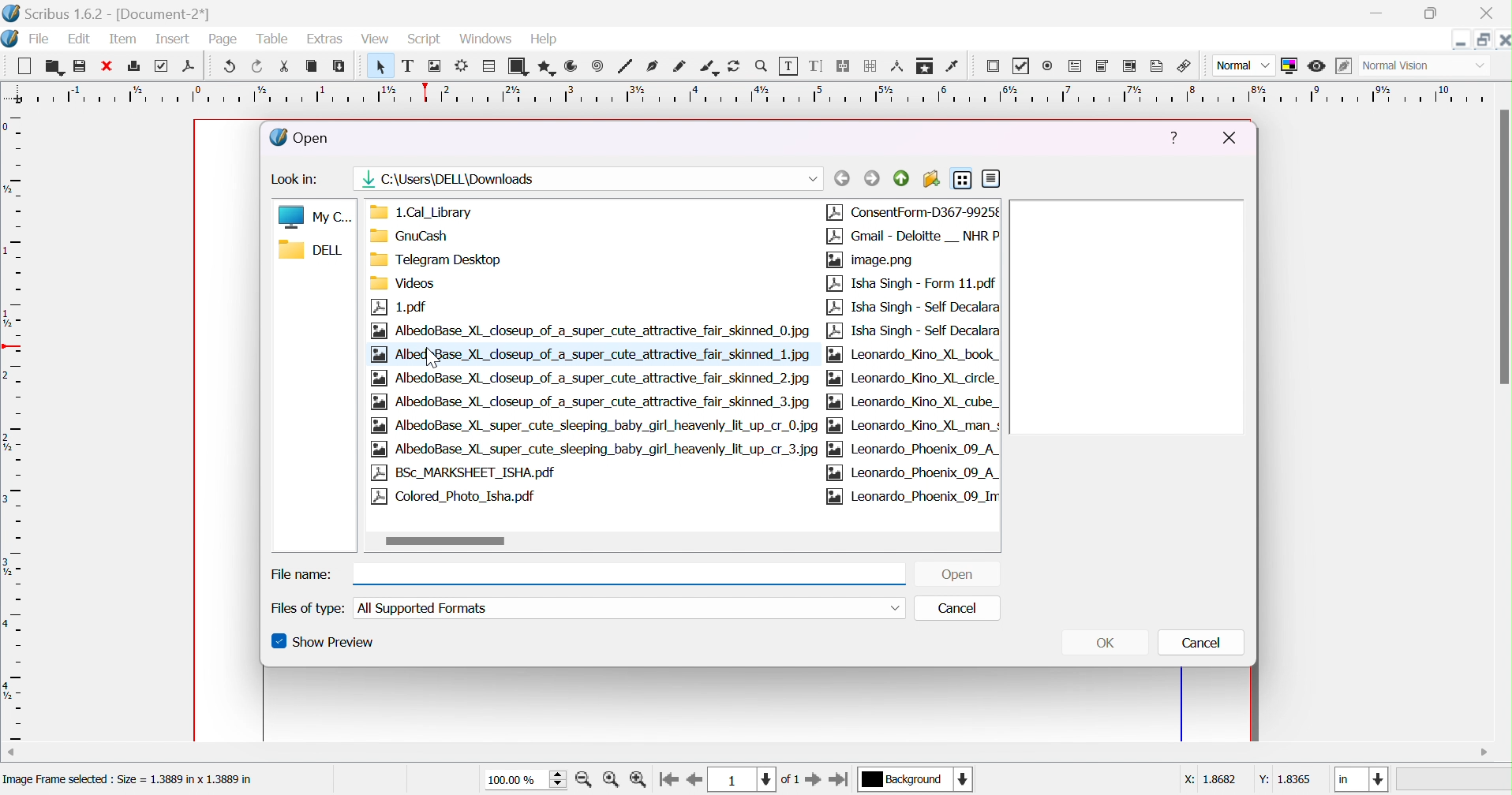  Describe the element at coordinates (275, 39) in the screenshot. I see `table` at that location.